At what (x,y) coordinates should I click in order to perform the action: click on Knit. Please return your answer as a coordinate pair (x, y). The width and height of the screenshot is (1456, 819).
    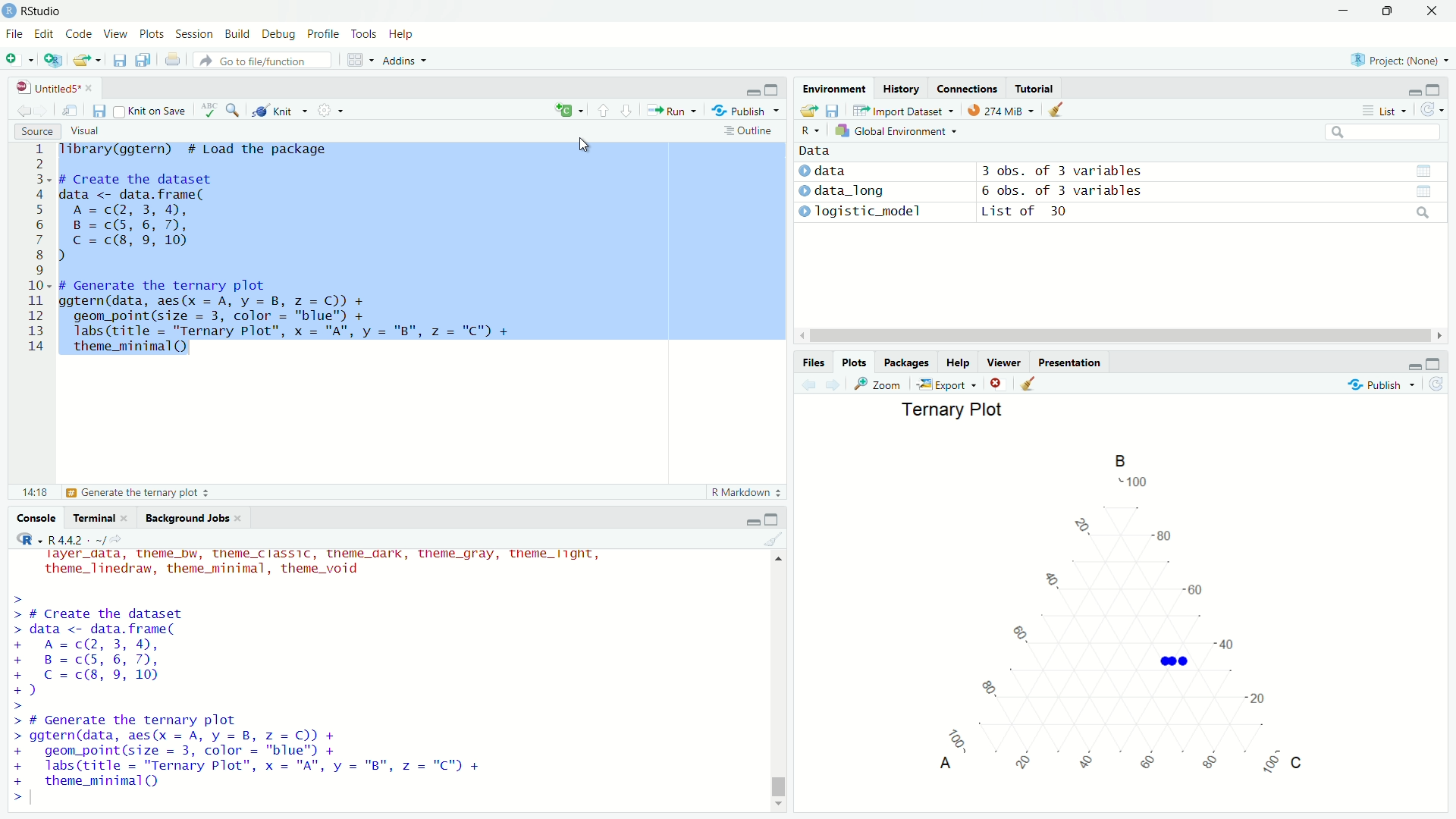
    Looking at the image, I should click on (273, 111).